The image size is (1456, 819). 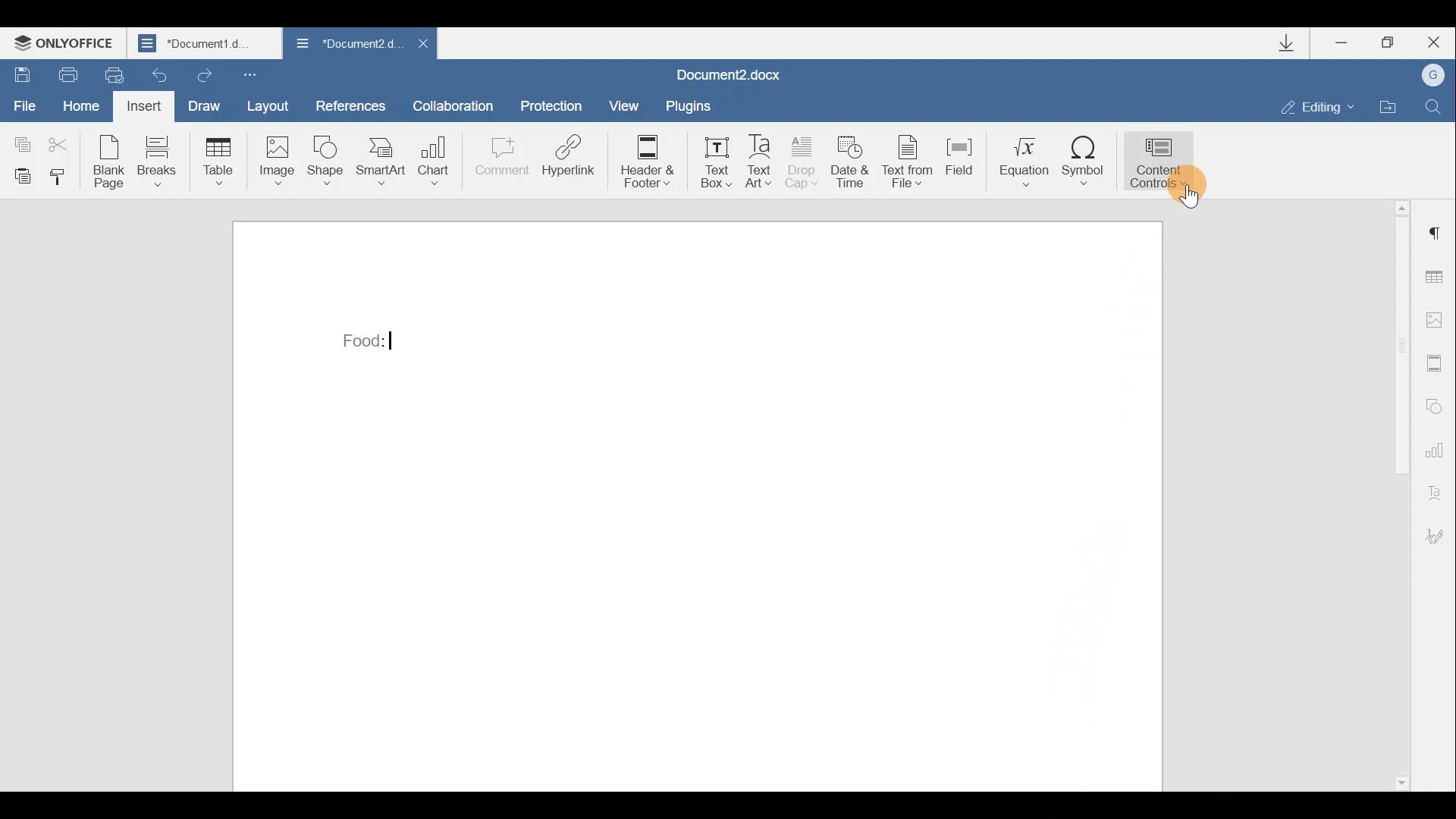 What do you see at coordinates (912, 163) in the screenshot?
I see `Text from file` at bounding box center [912, 163].